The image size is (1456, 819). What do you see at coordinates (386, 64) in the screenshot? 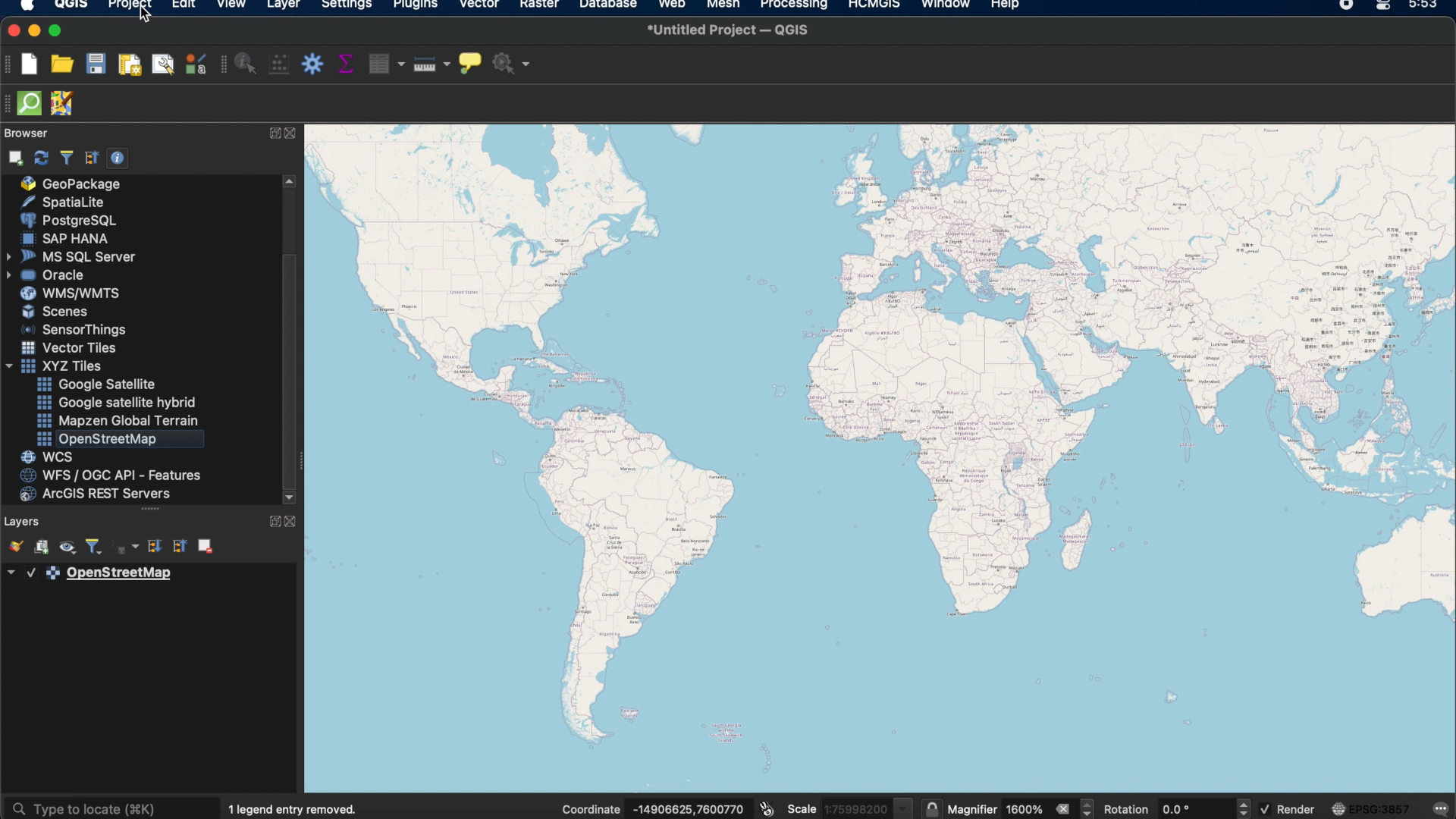
I see `open attribute table` at bounding box center [386, 64].